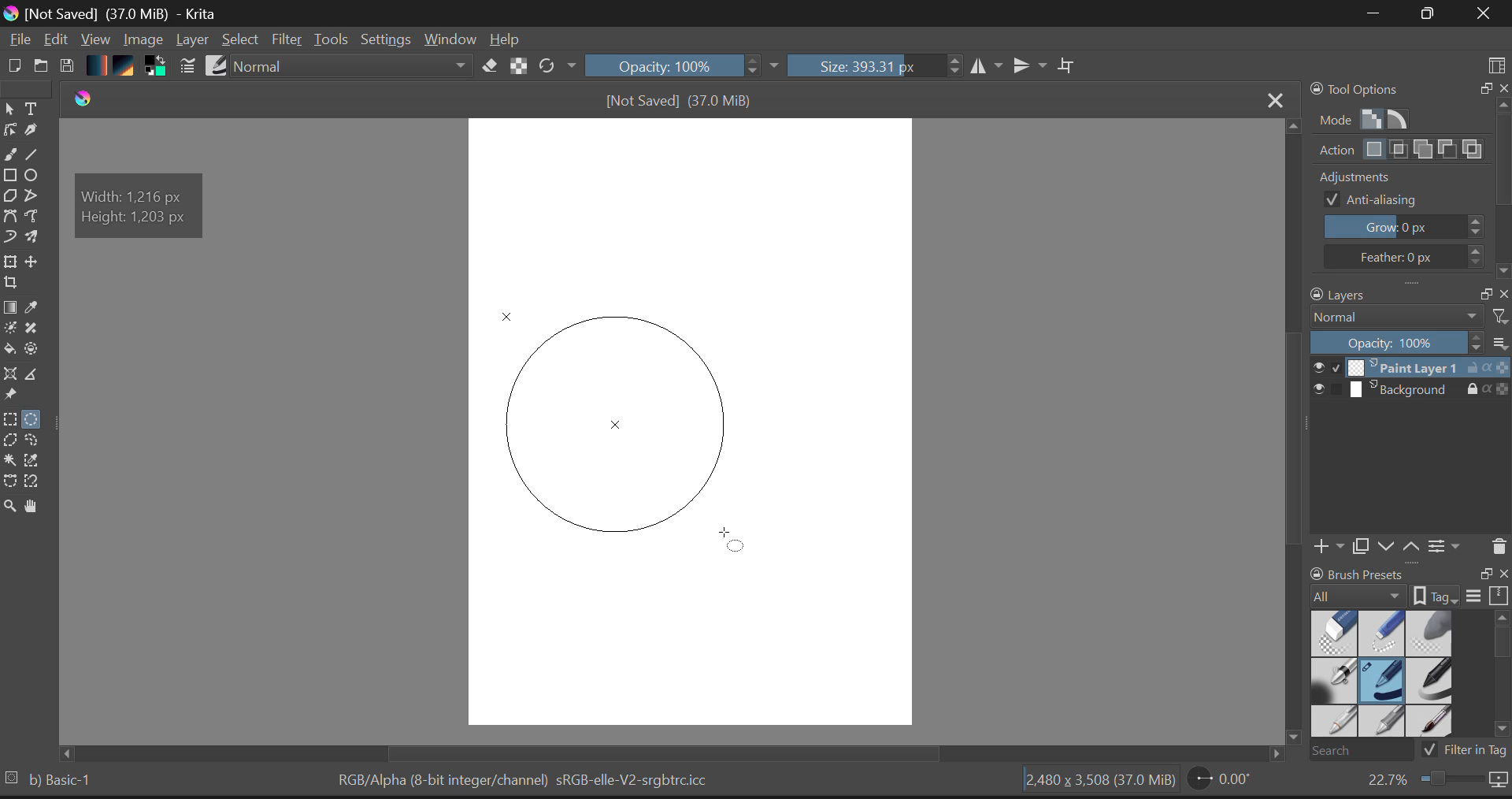  I want to click on Refresh, so click(557, 67).